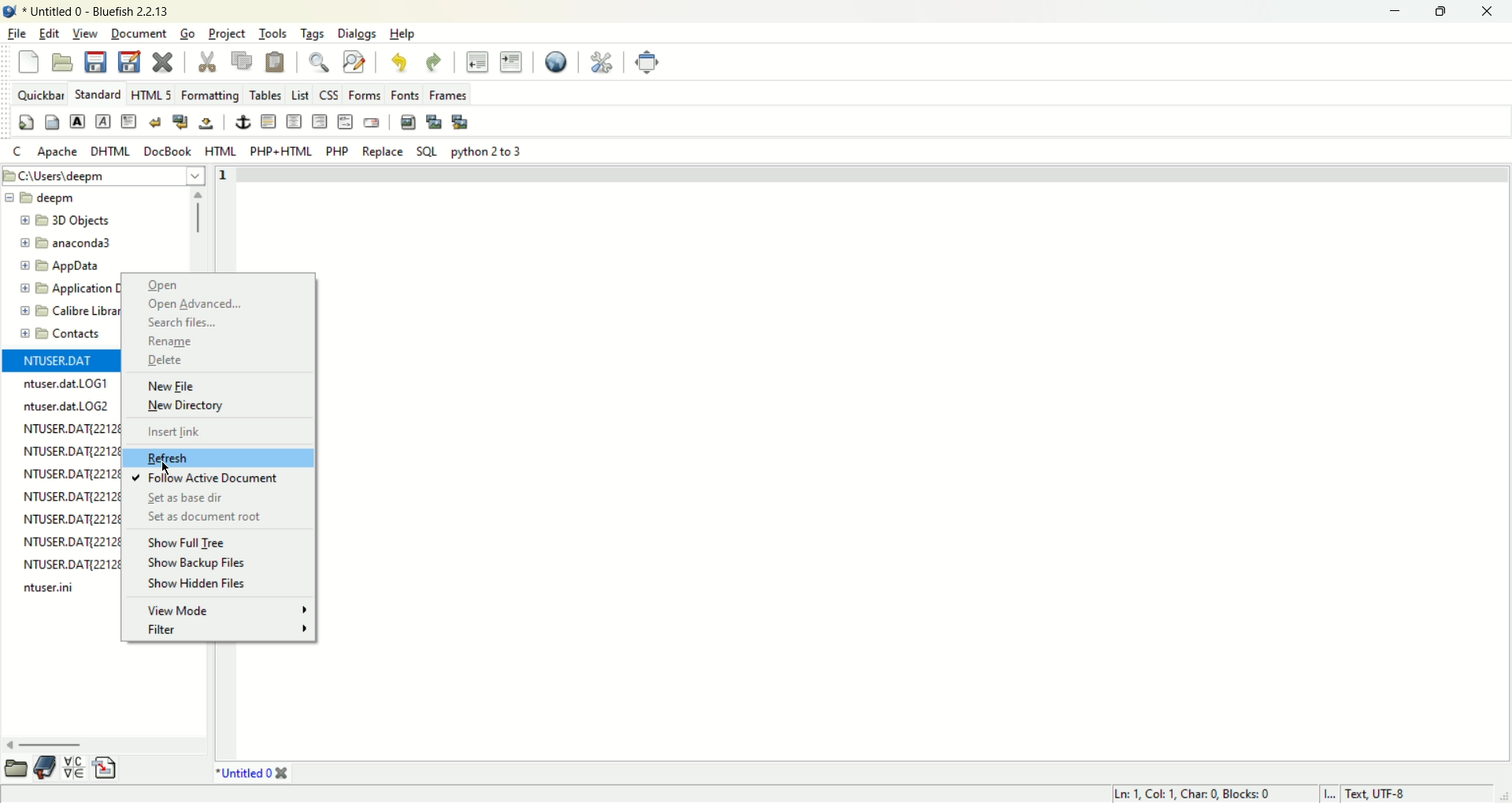 The height and width of the screenshot is (803, 1512). I want to click on New Diretory, so click(218, 407).